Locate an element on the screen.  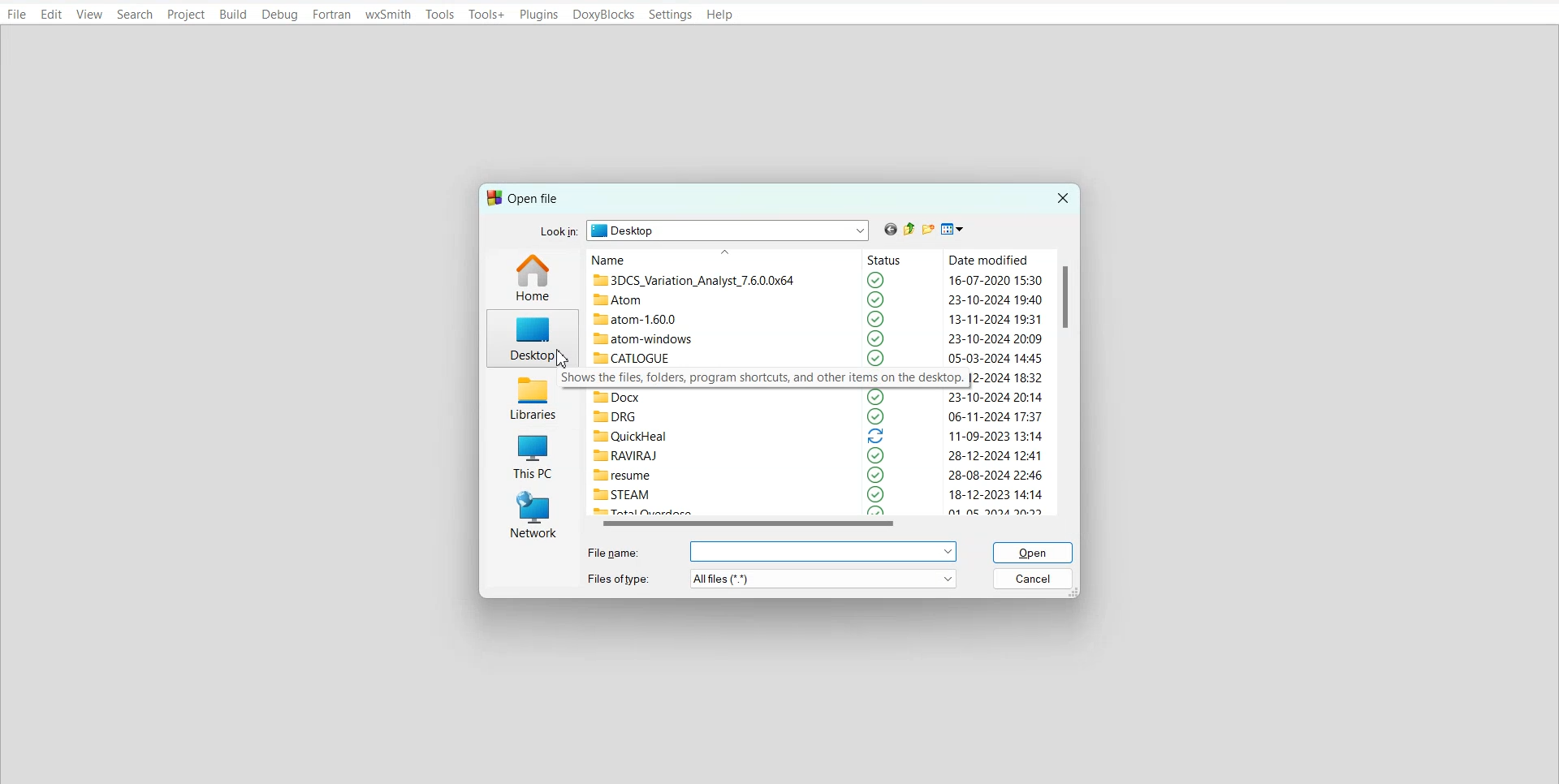
23-10-2024 19:40 is located at coordinates (994, 301).